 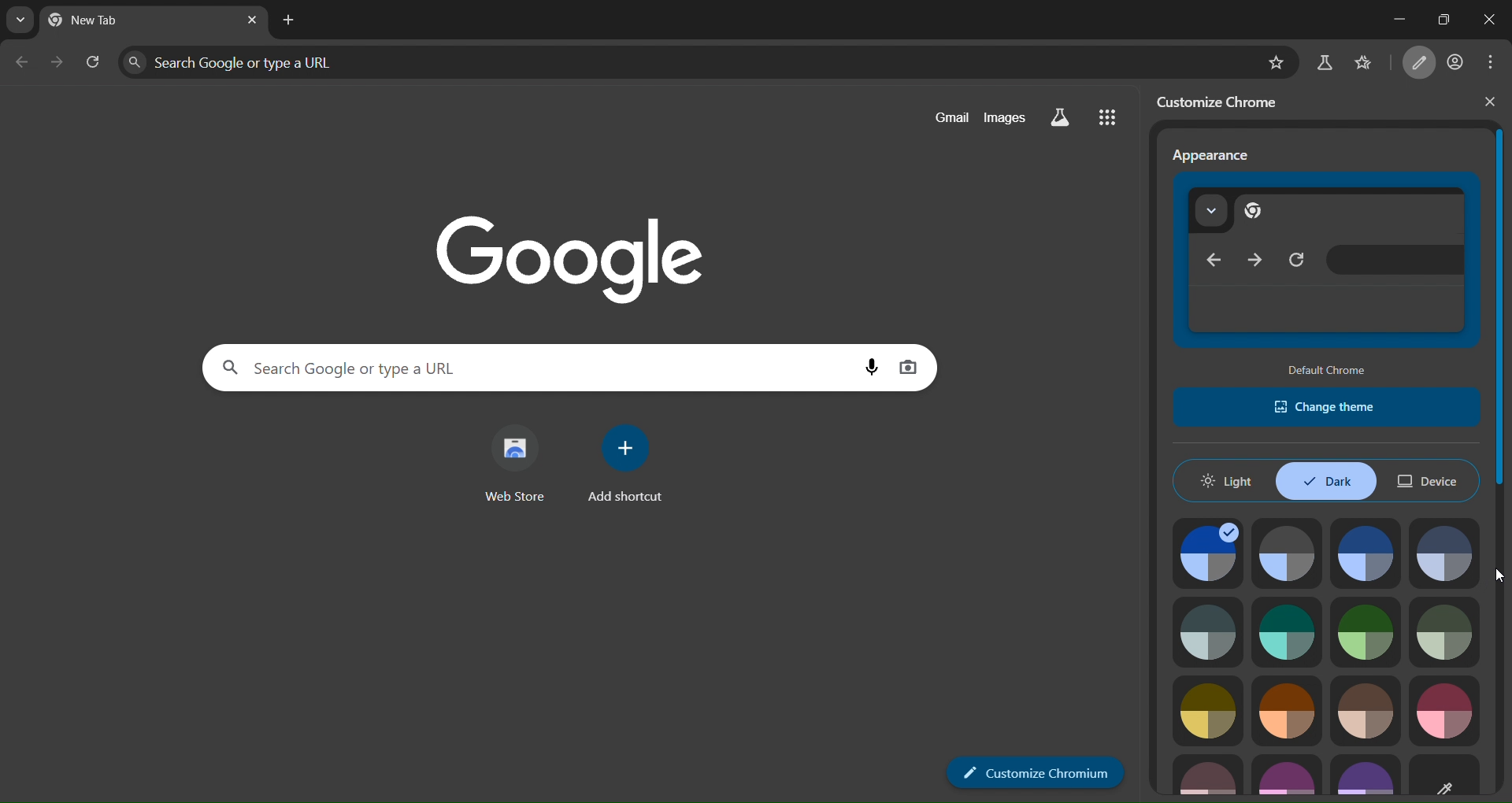 What do you see at coordinates (293, 20) in the screenshot?
I see `new tab` at bounding box center [293, 20].